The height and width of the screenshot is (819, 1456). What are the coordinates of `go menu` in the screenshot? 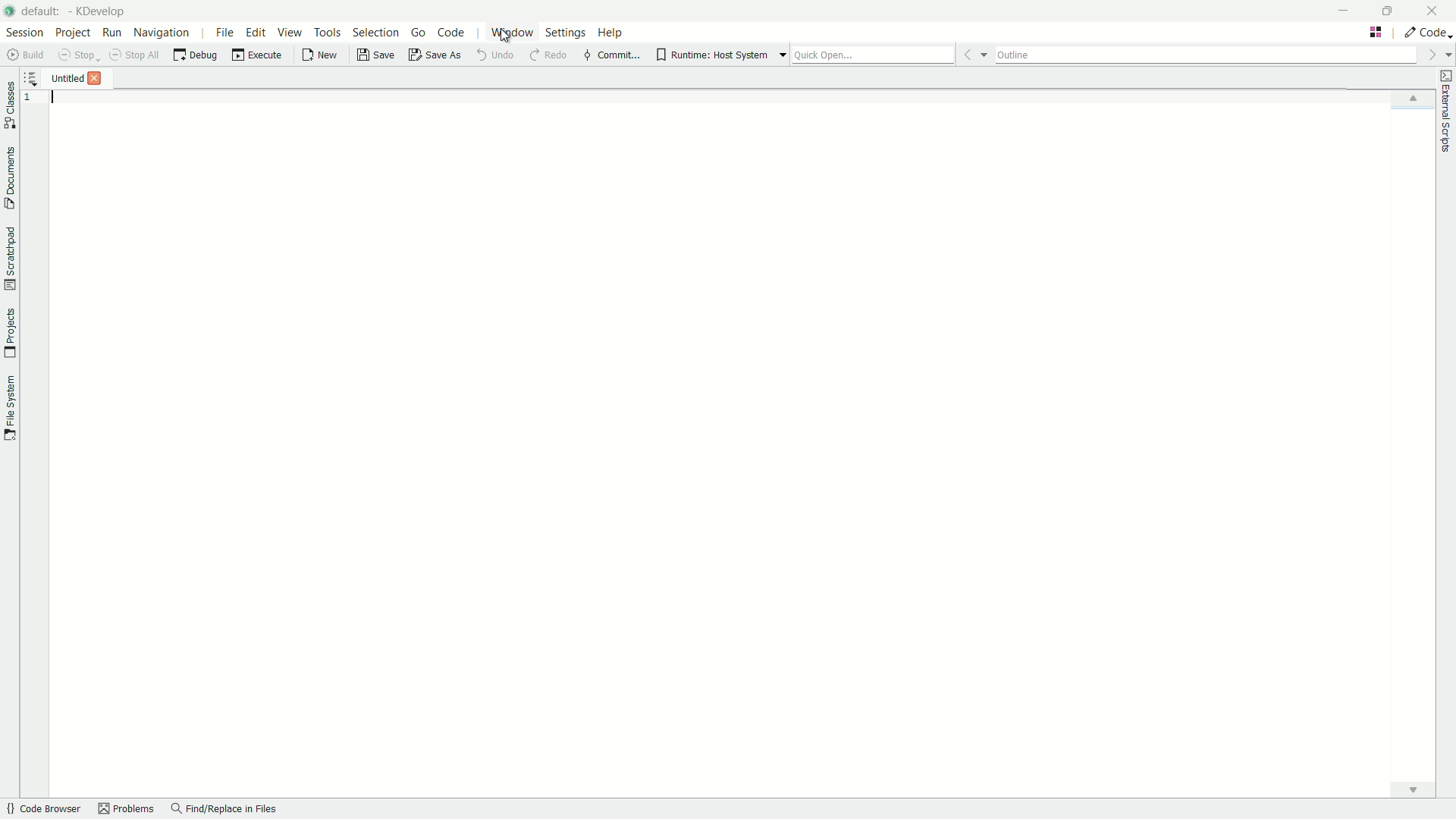 It's located at (419, 35).